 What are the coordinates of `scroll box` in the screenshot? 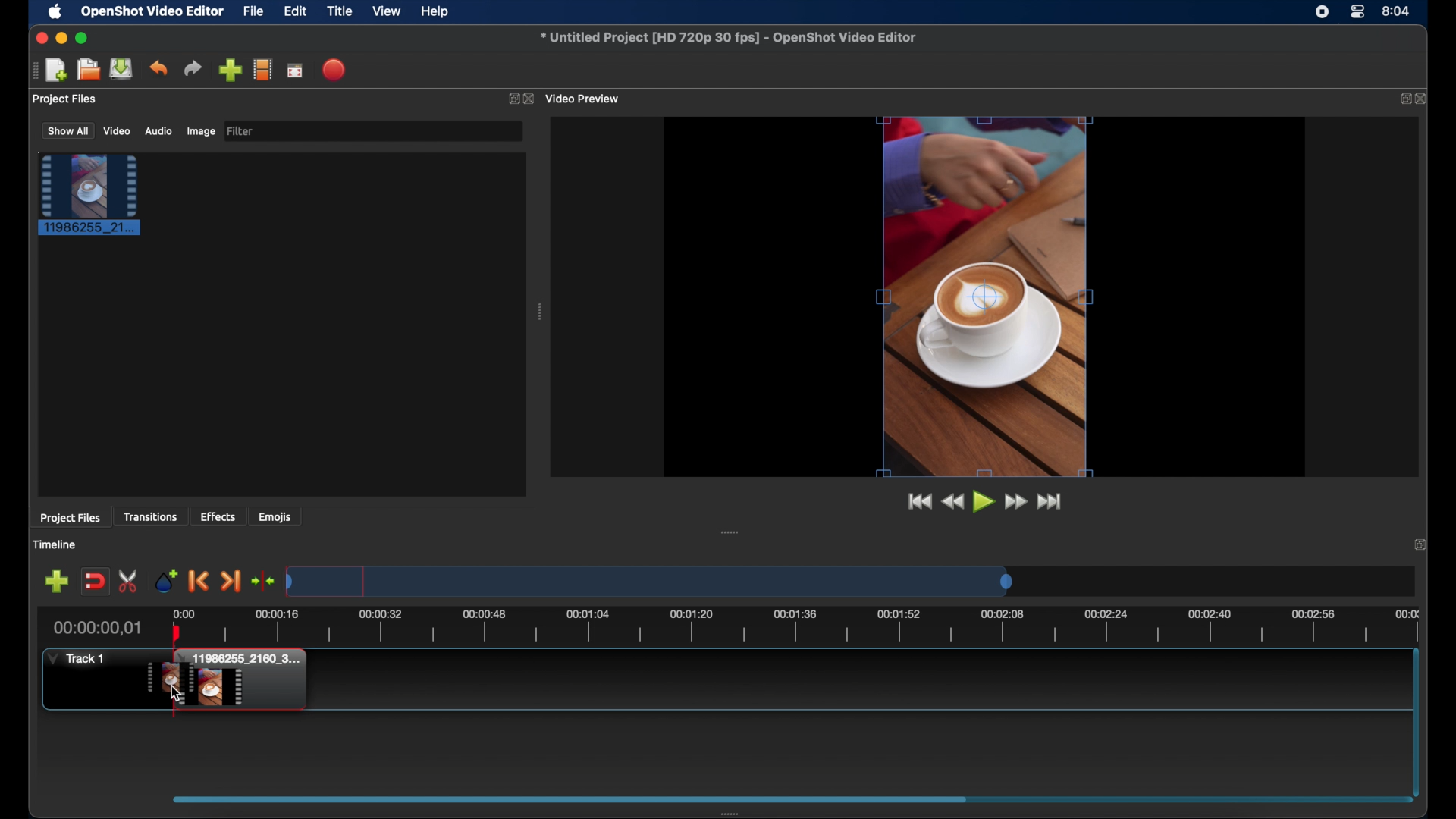 It's located at (568, 797).